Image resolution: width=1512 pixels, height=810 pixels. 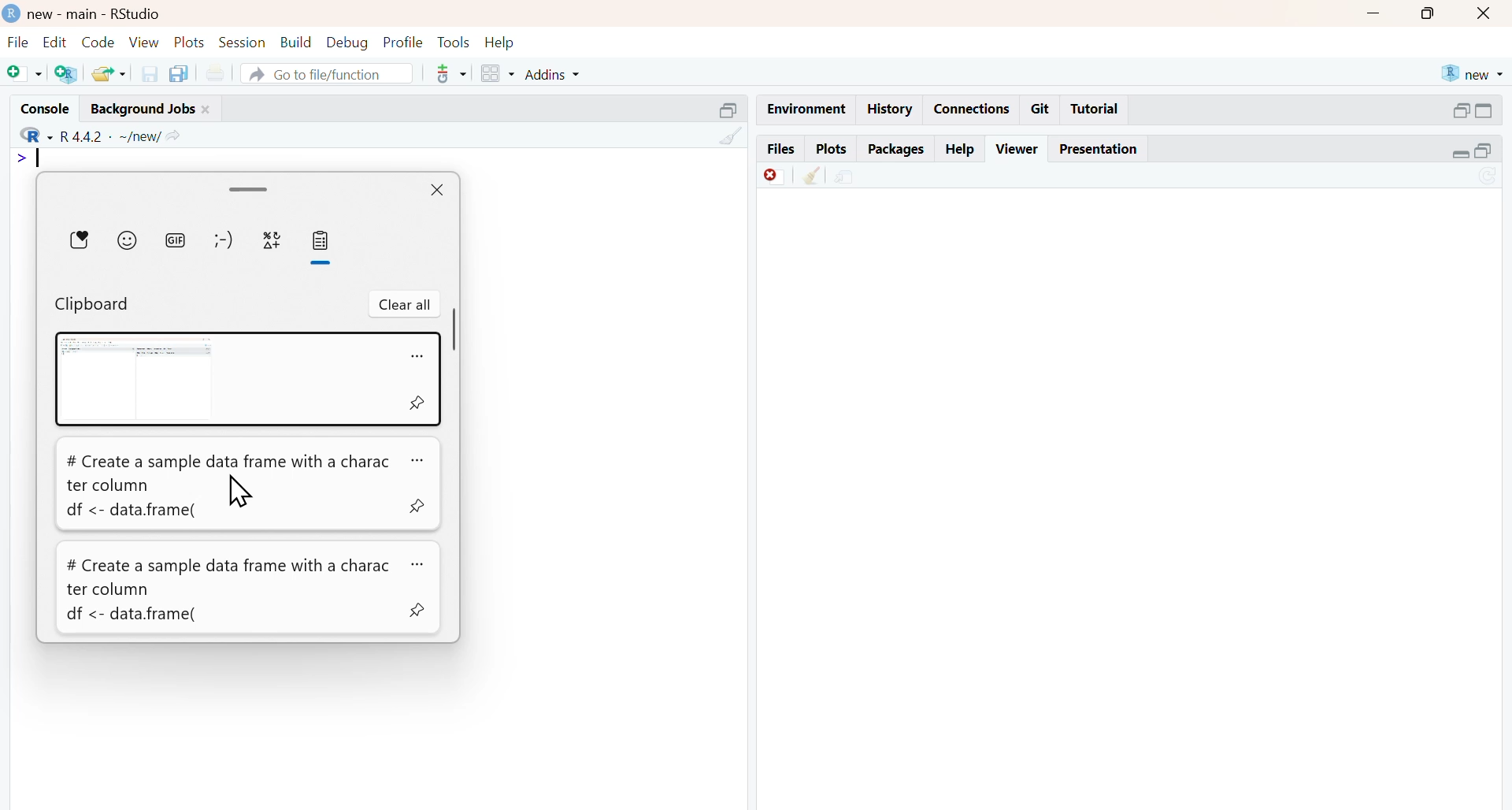 What do you see at coordinates (93, 306) in the screenshot?
I see `Clipboard ` at bounding box center [93, 306].